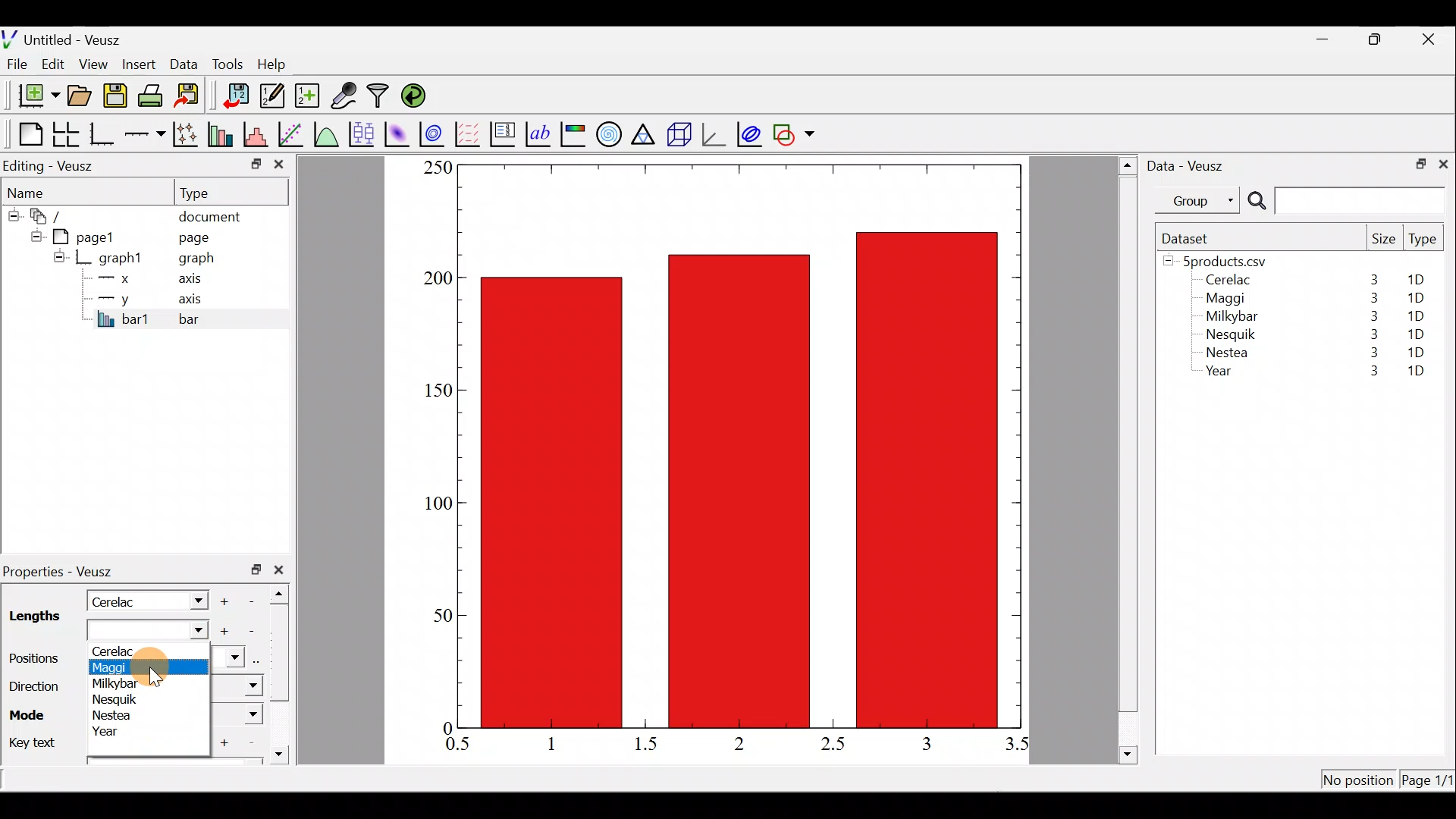 Image resolution: width=1456 pixels, height=819 pixels. I want to click on 50, so click(441, 614).